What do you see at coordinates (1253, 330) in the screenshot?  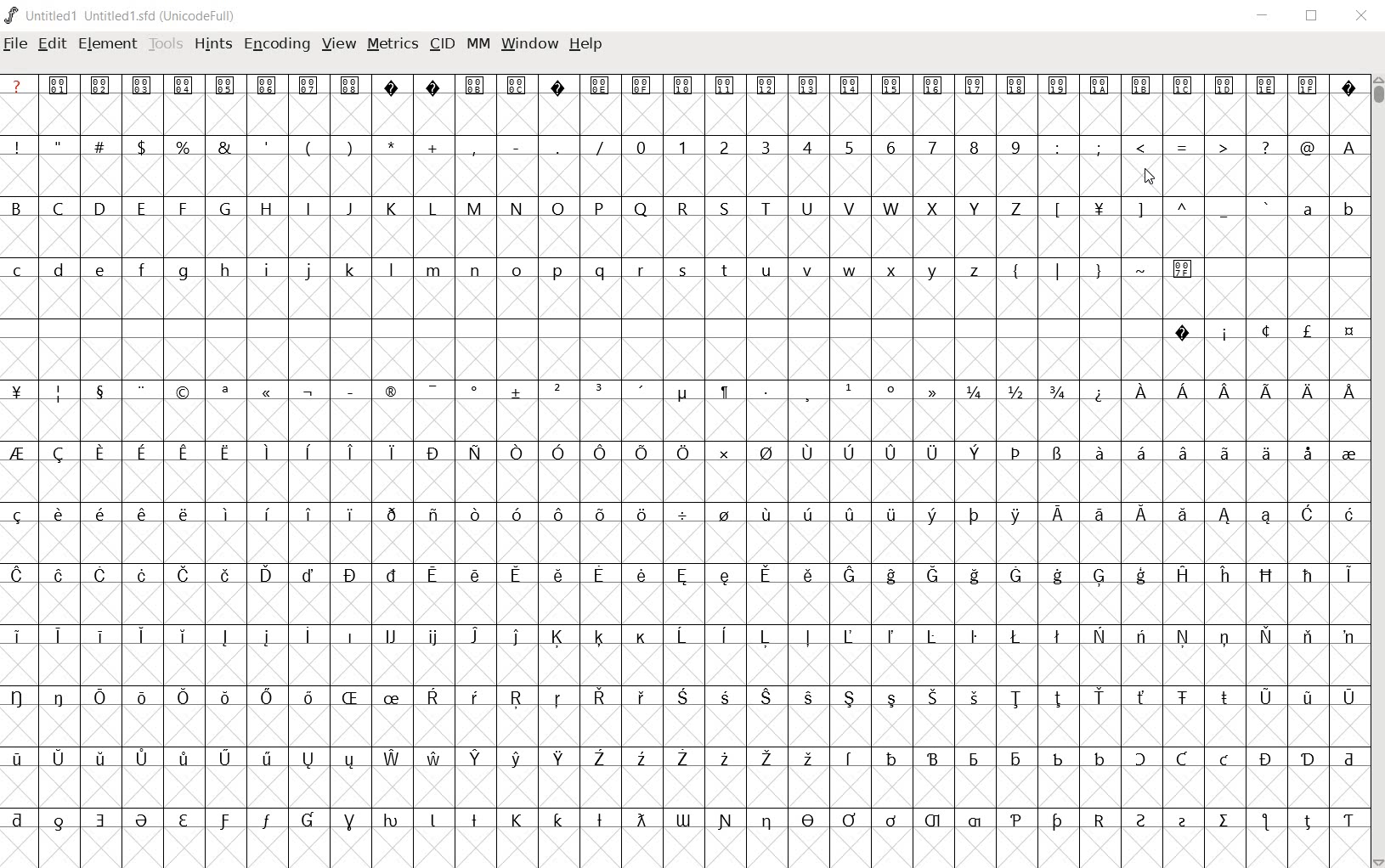 I see `symbols` at bounding box center [1253, 330].